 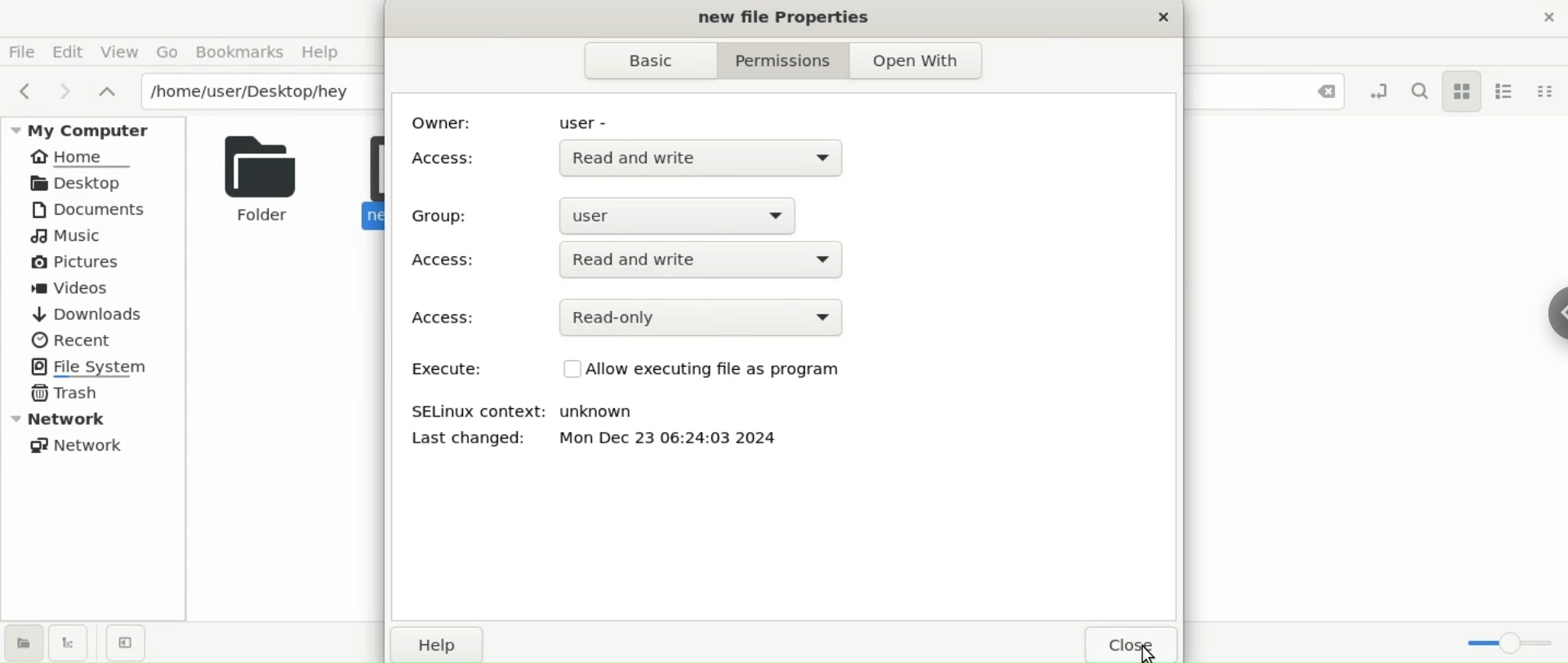 I want to click on Basic, so click(x=641, y=61).